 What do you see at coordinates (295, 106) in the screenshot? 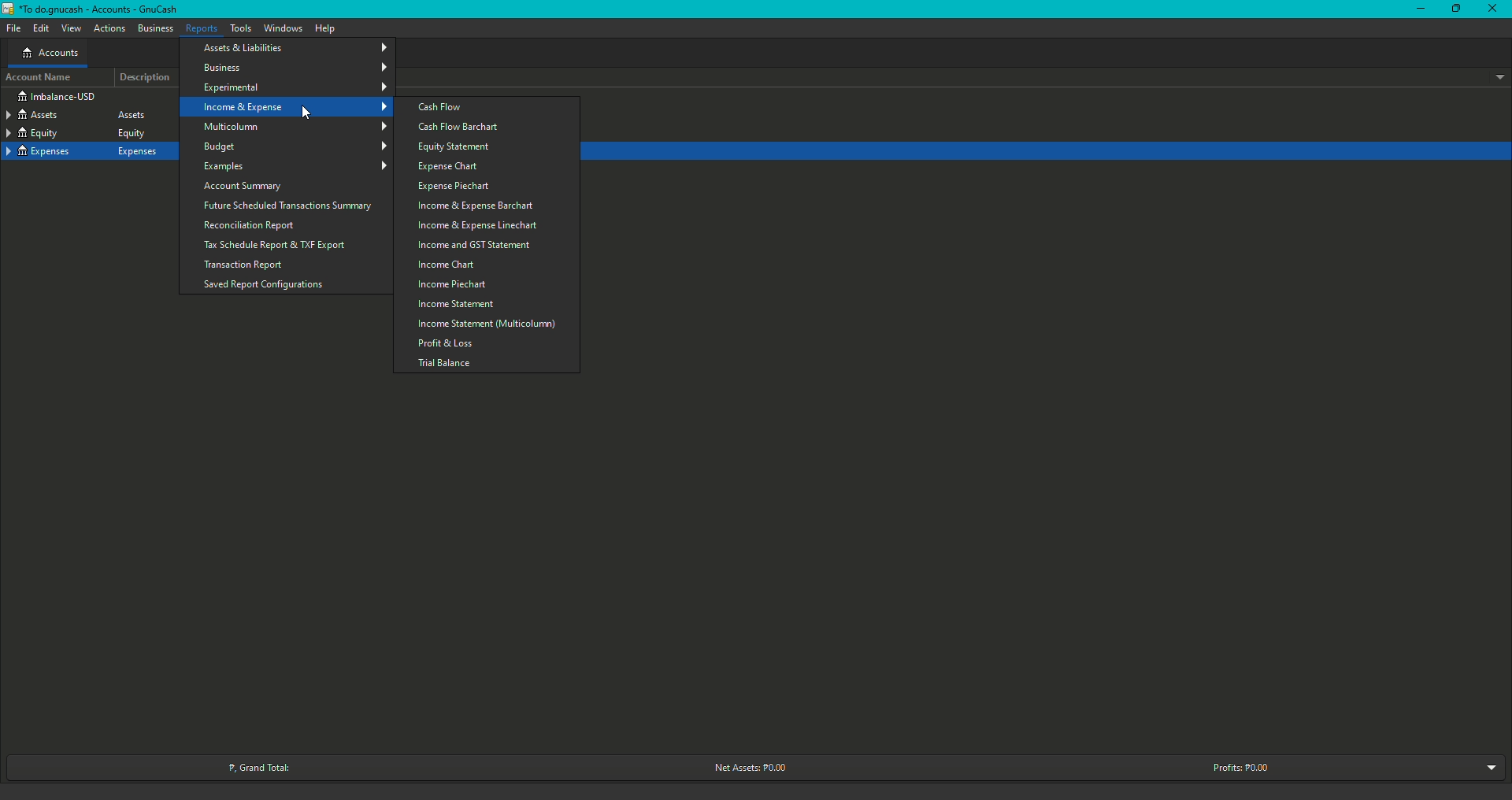
I see `Income and Expense` at bounding box center [295, 106].